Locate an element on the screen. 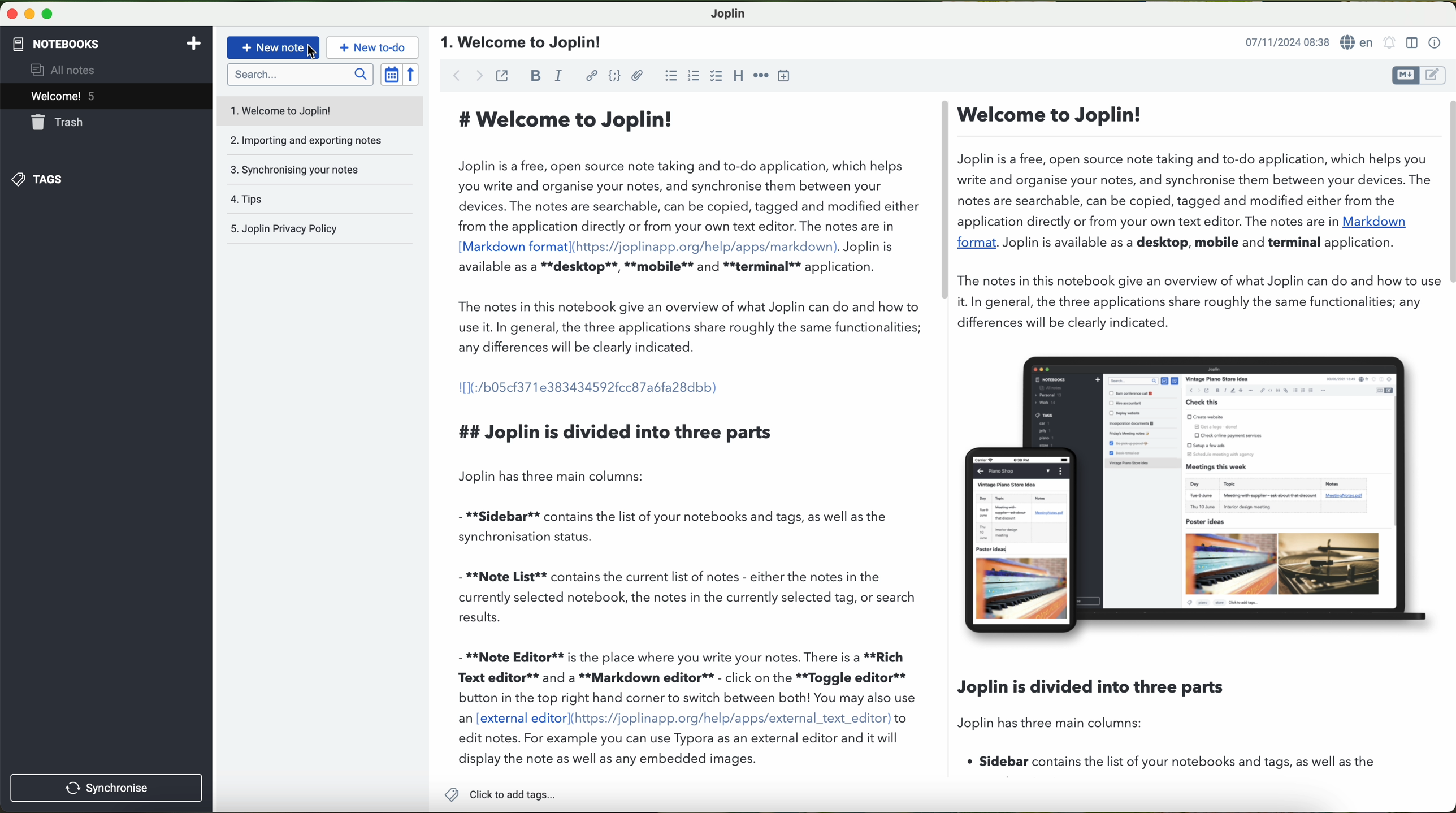 Image resolution: width=1456 pixels, height=813 pixels. title file is located at coordinates (525, 42).